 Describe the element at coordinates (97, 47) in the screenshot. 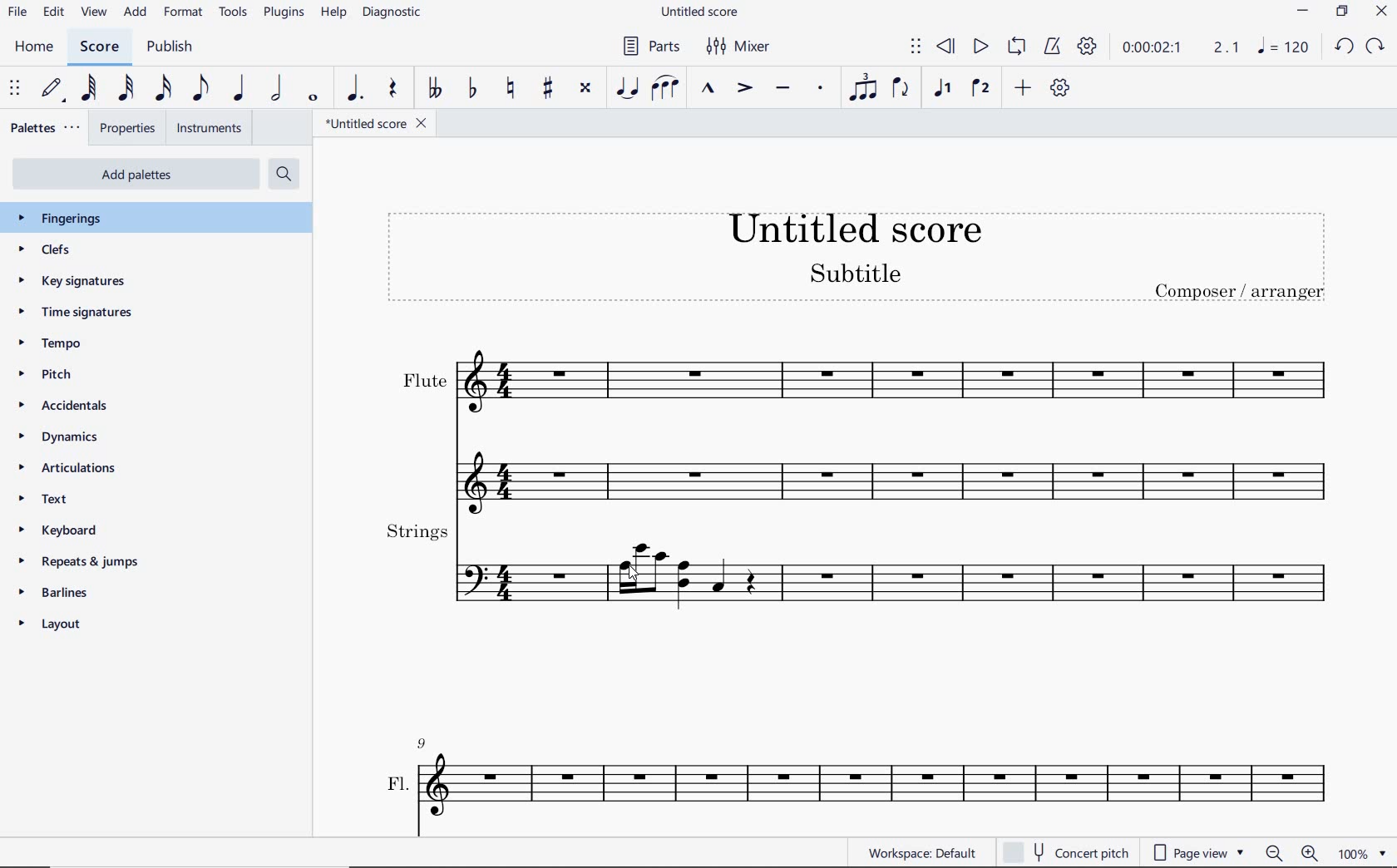

I see `score` at that location.